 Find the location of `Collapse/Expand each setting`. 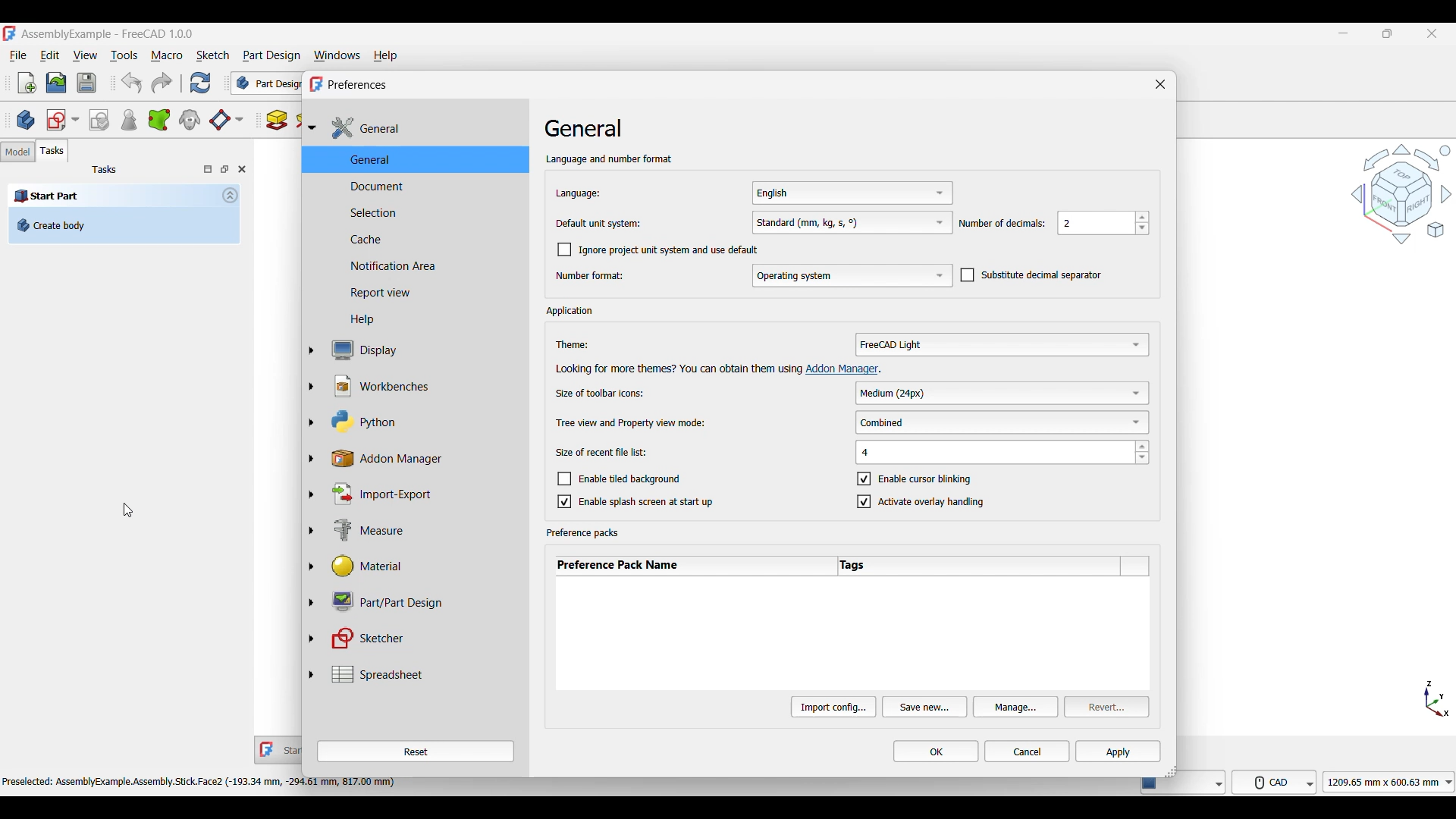

Collapse/Expand each setting is located at coordinates (309, 403).